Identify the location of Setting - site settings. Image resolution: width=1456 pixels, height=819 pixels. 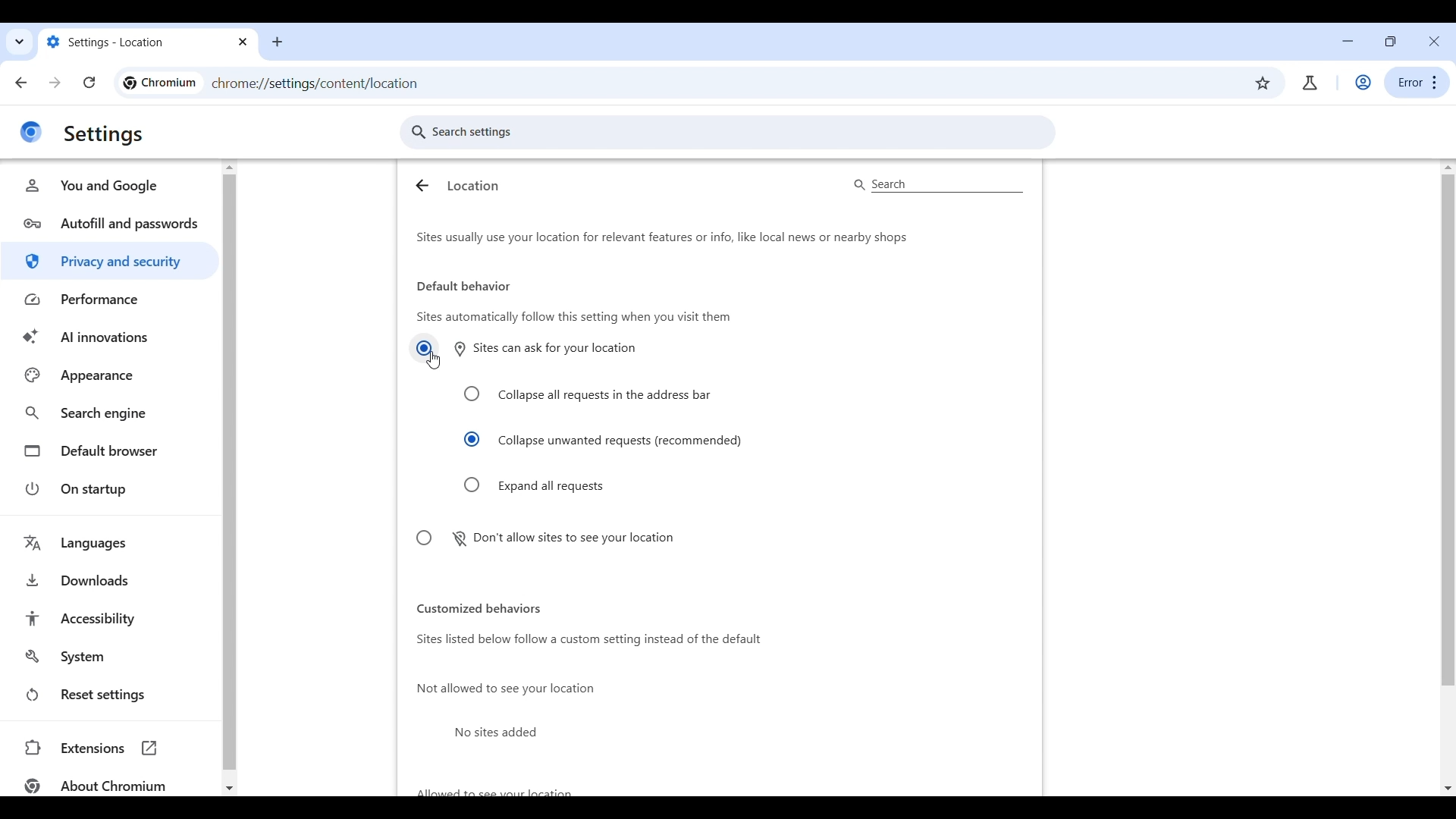
(133, 41).